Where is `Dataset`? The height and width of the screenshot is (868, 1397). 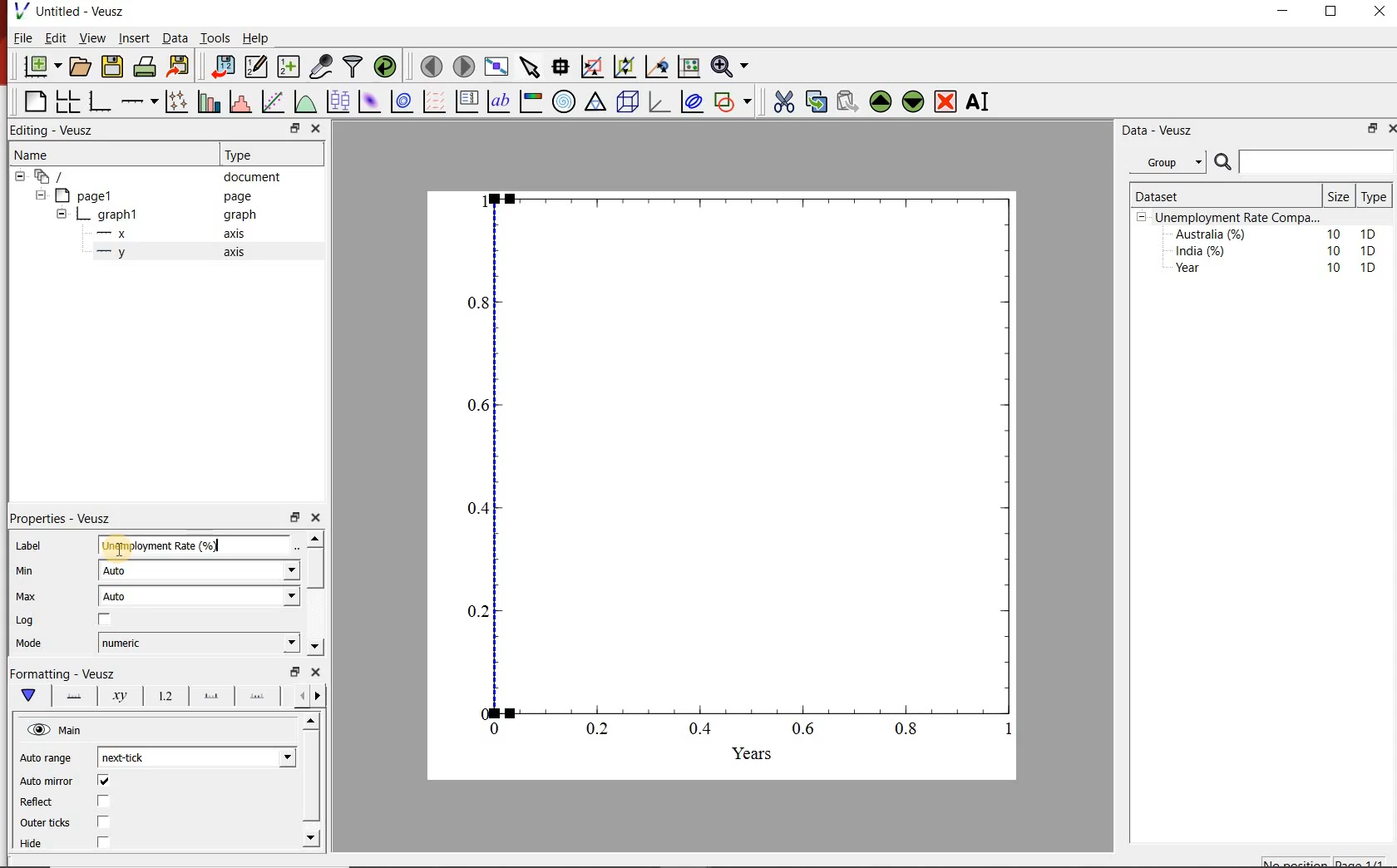 Dataset is located at coordinates (1196, 196).